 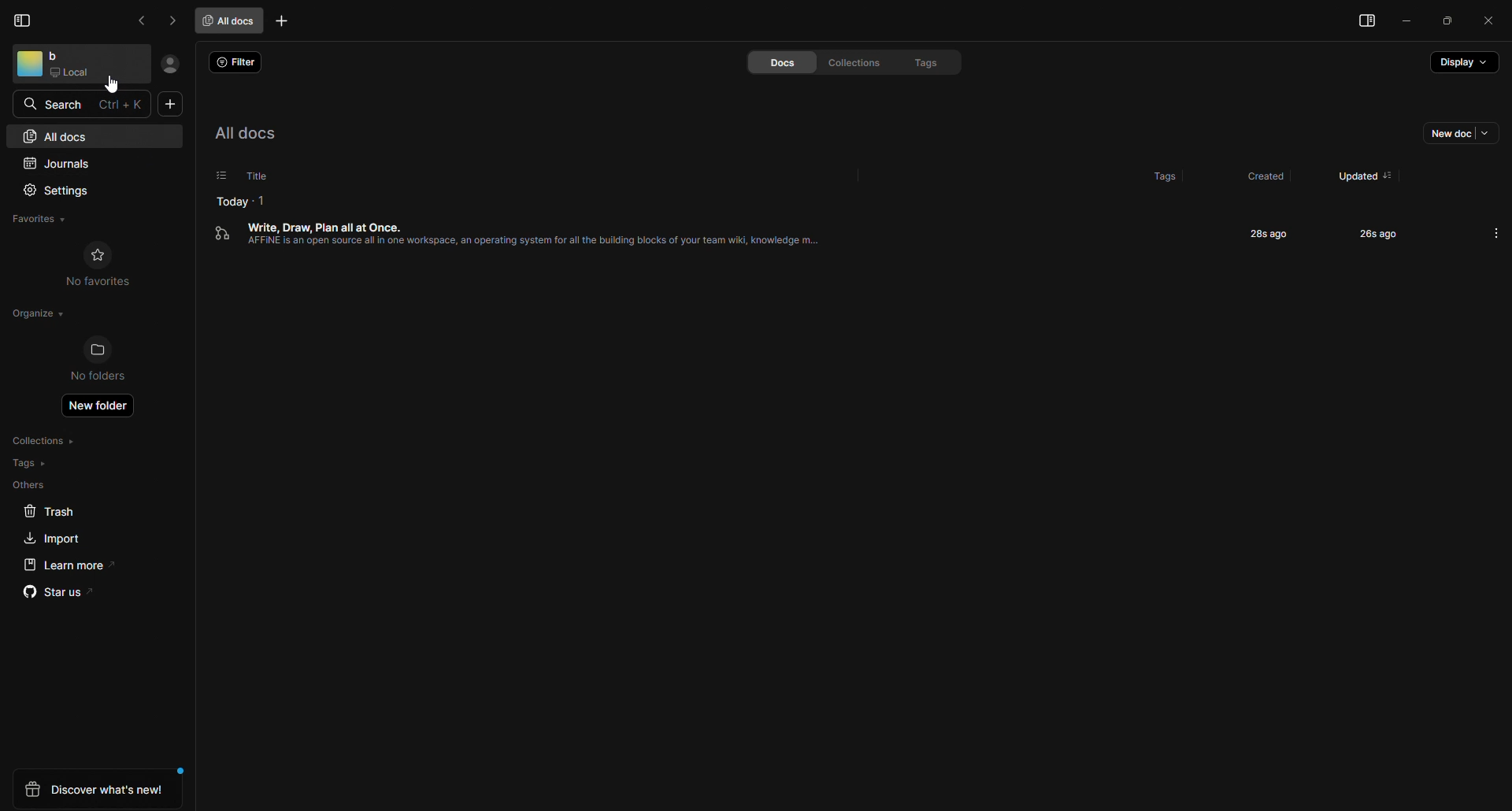 What do you see at coordinates (144, 20) in the screenshot?
I see `go back` at bounding box center [144, 20].